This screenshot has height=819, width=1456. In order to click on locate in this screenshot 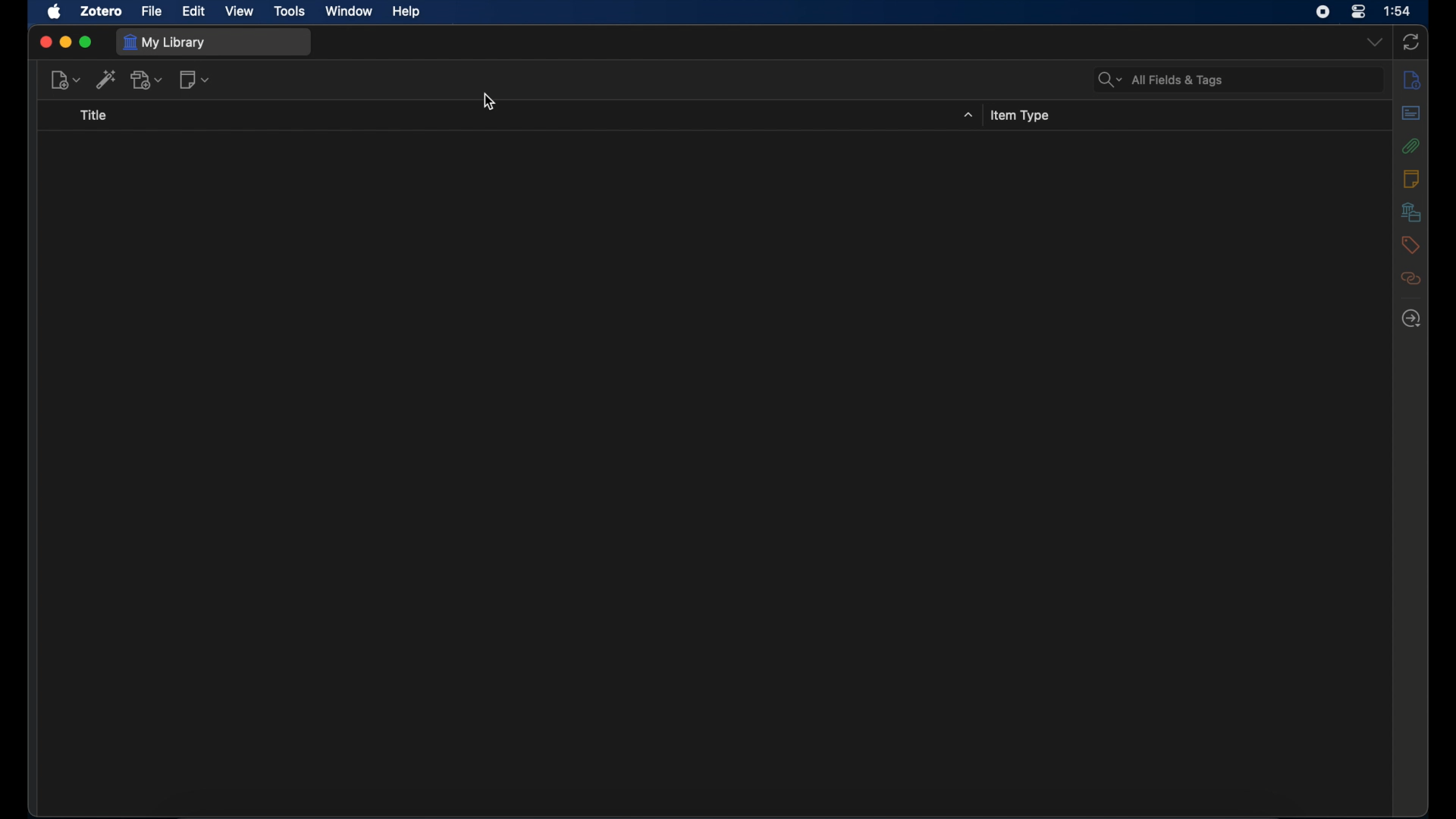, I will do `click(1412, 318)`.